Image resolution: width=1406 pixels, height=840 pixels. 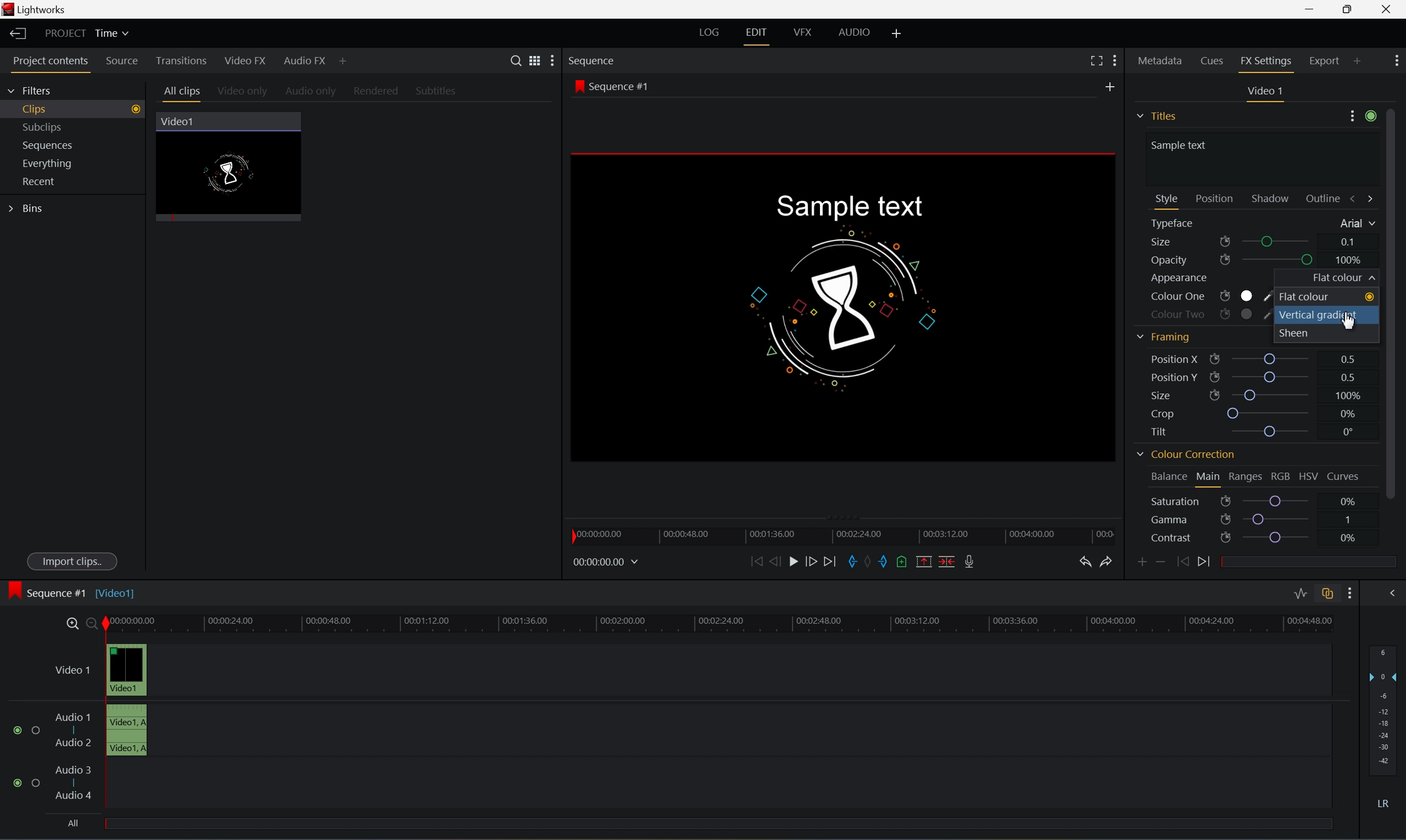 I want to click on appearance, so click(x=1180, y=279).